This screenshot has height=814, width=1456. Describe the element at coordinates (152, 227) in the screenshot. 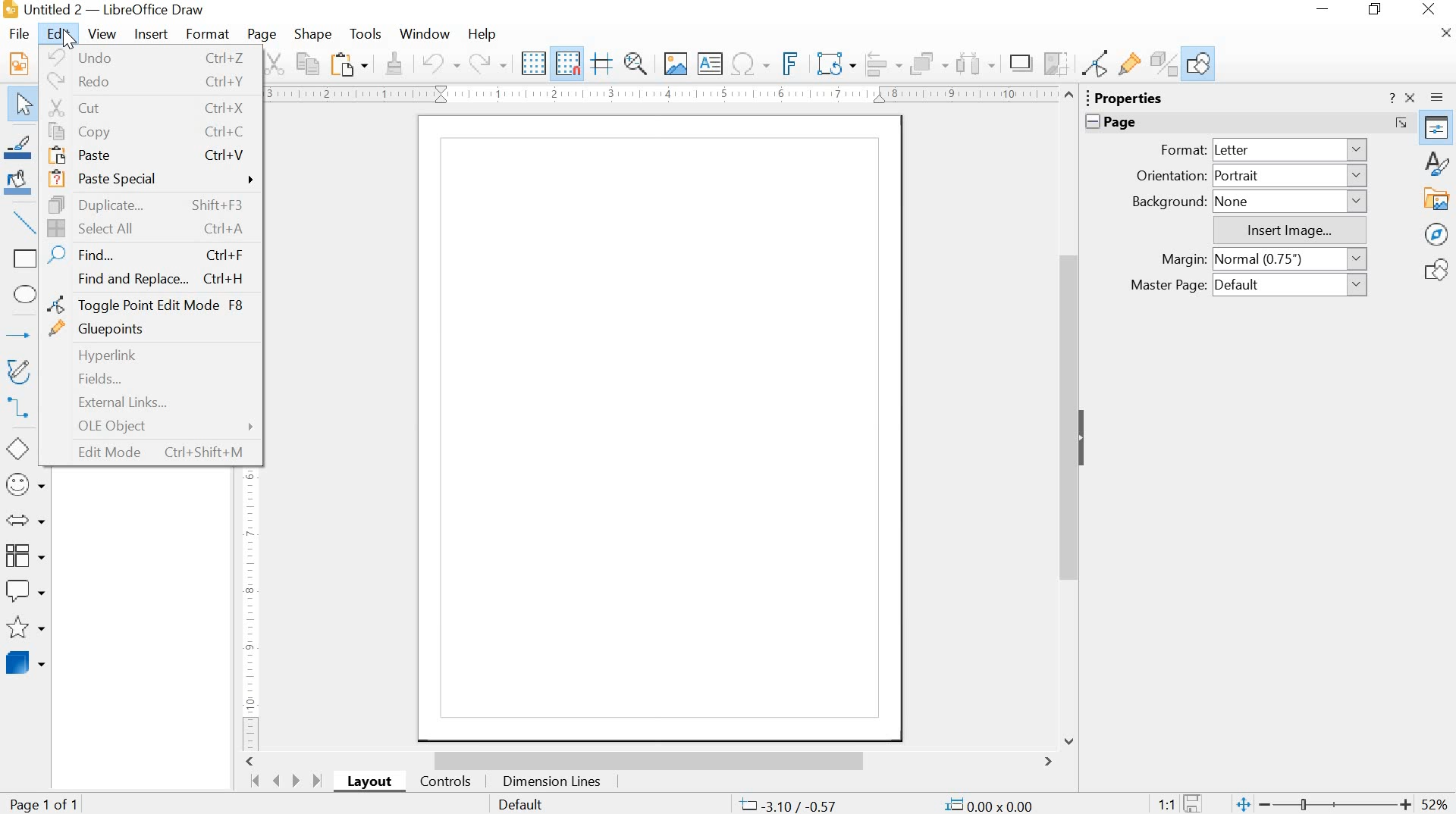

I see `select all` at that location.